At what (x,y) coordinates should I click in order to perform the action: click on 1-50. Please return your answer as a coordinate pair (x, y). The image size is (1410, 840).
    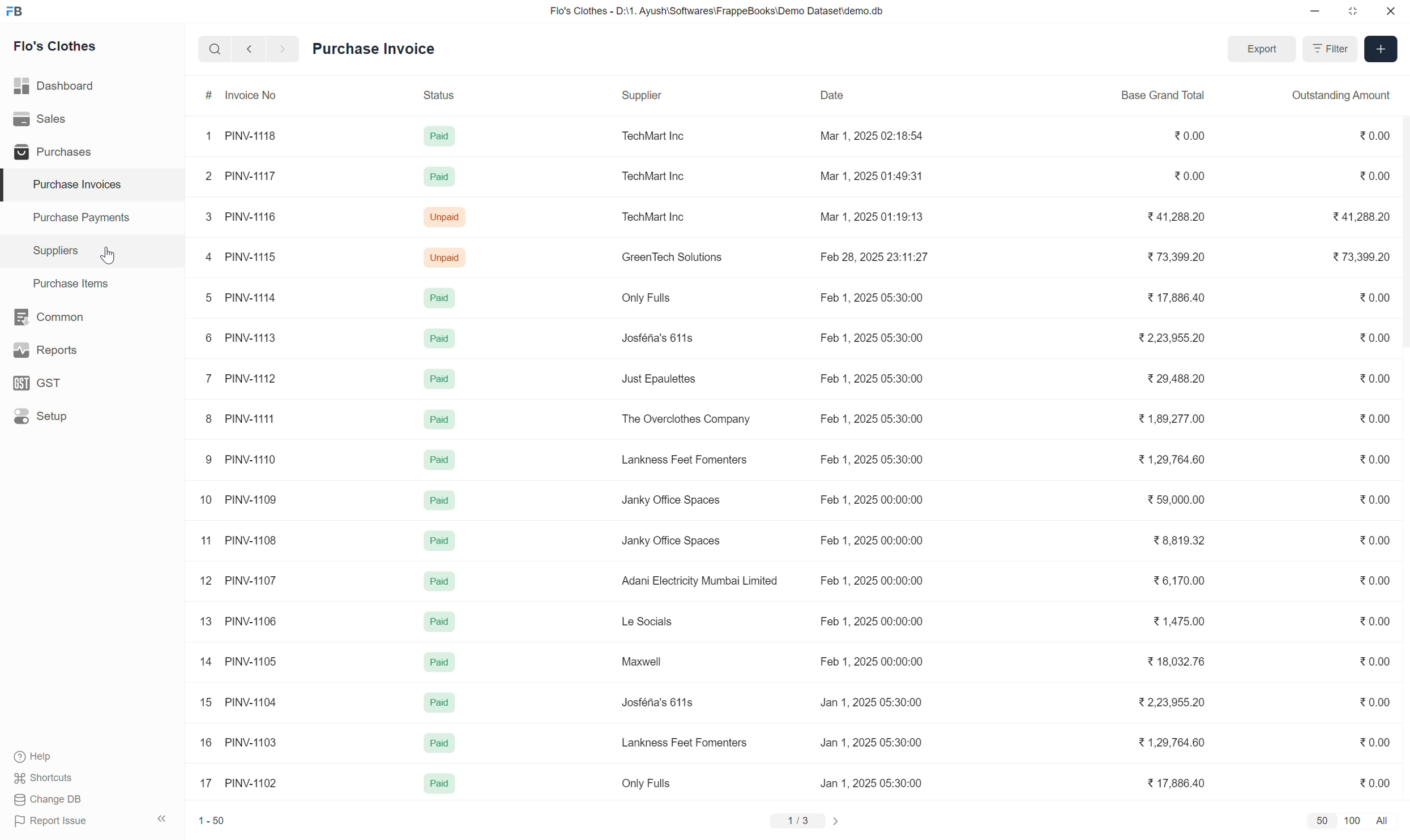
    Looking at the image, I should click on (211, 818).